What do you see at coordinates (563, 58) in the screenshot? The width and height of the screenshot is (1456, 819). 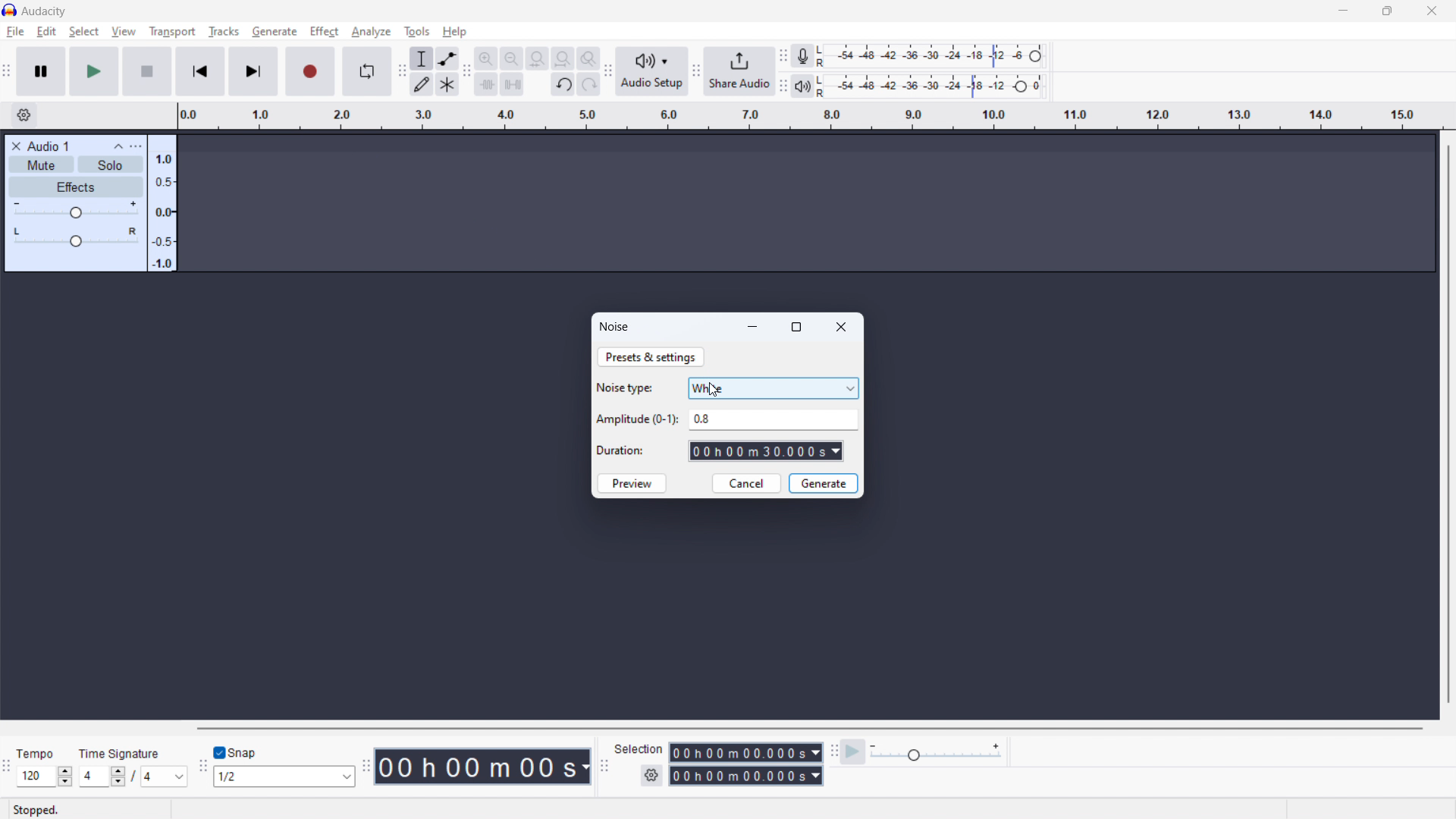 I see `fit project to width` at bounding box center [563, 58].